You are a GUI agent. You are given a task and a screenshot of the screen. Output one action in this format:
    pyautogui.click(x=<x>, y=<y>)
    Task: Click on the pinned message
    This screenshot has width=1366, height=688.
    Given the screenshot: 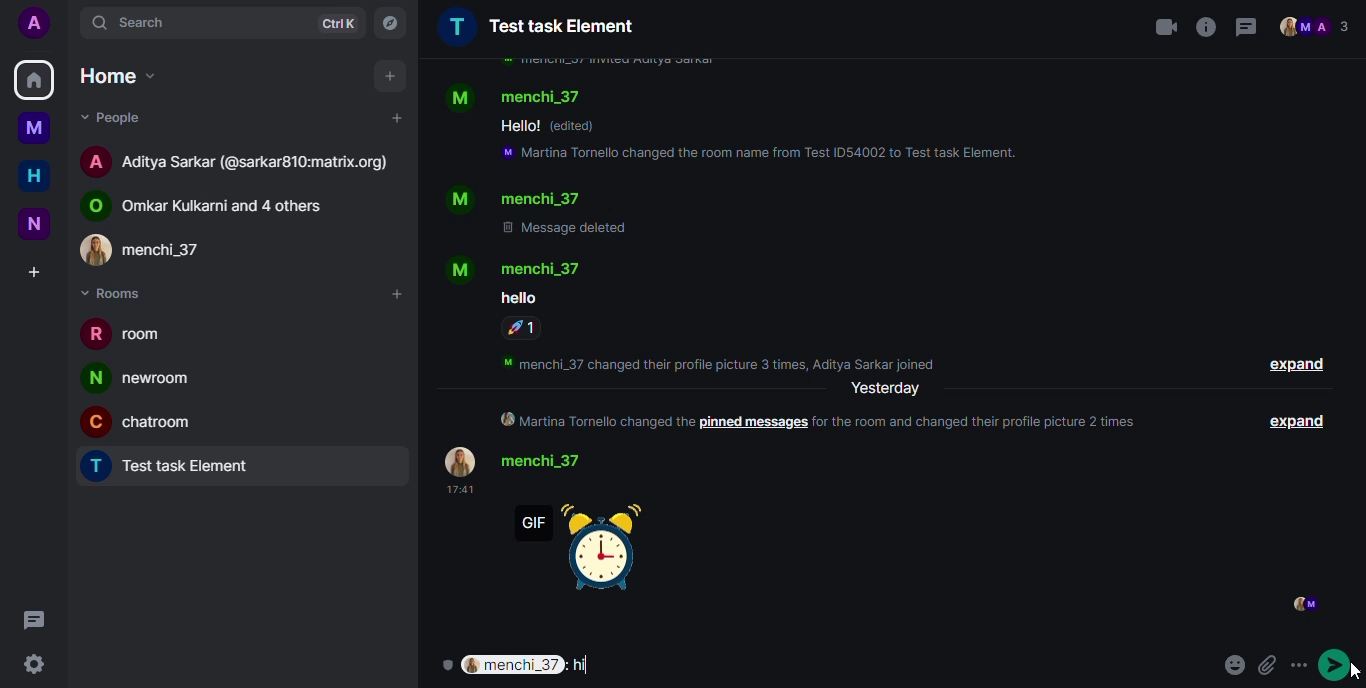 What is the action you would take?
    pyautogui.click(x=753, y=423)
    